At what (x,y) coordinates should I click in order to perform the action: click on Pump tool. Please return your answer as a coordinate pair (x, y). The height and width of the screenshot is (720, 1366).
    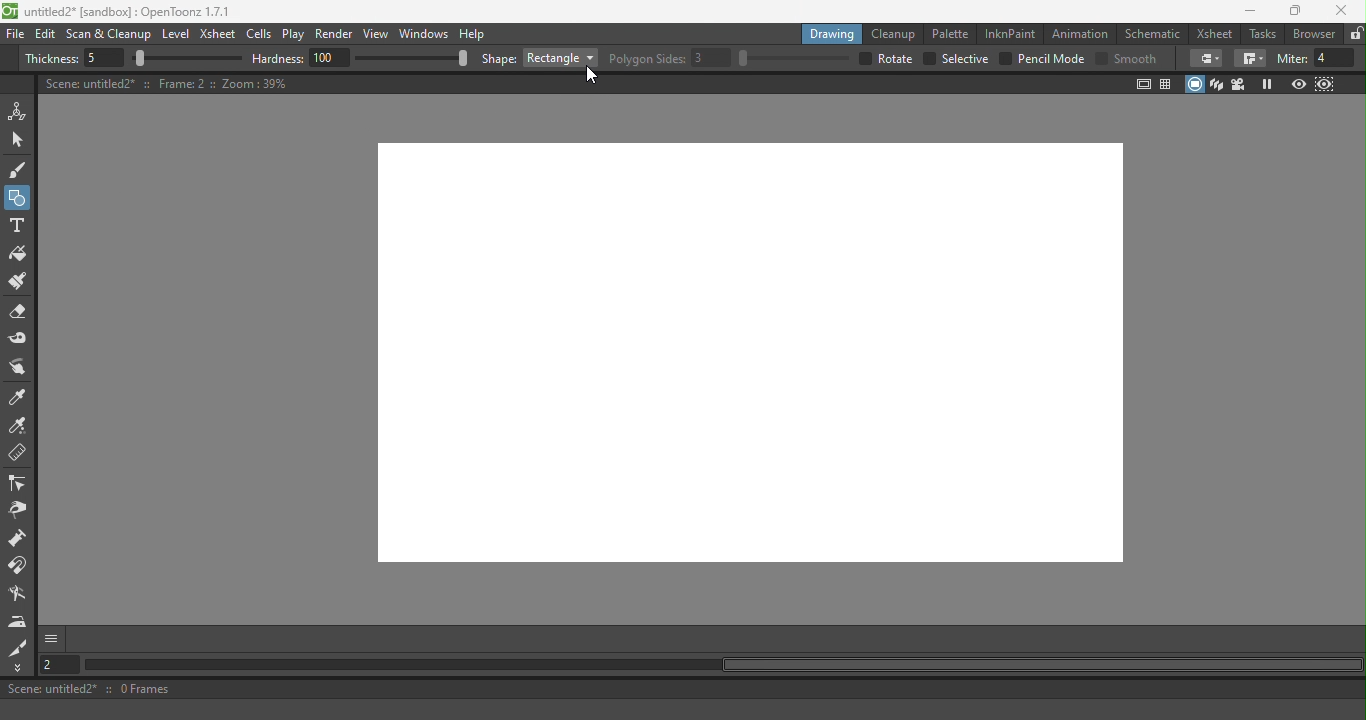
    Looking at the image, I should click on (19, 540).